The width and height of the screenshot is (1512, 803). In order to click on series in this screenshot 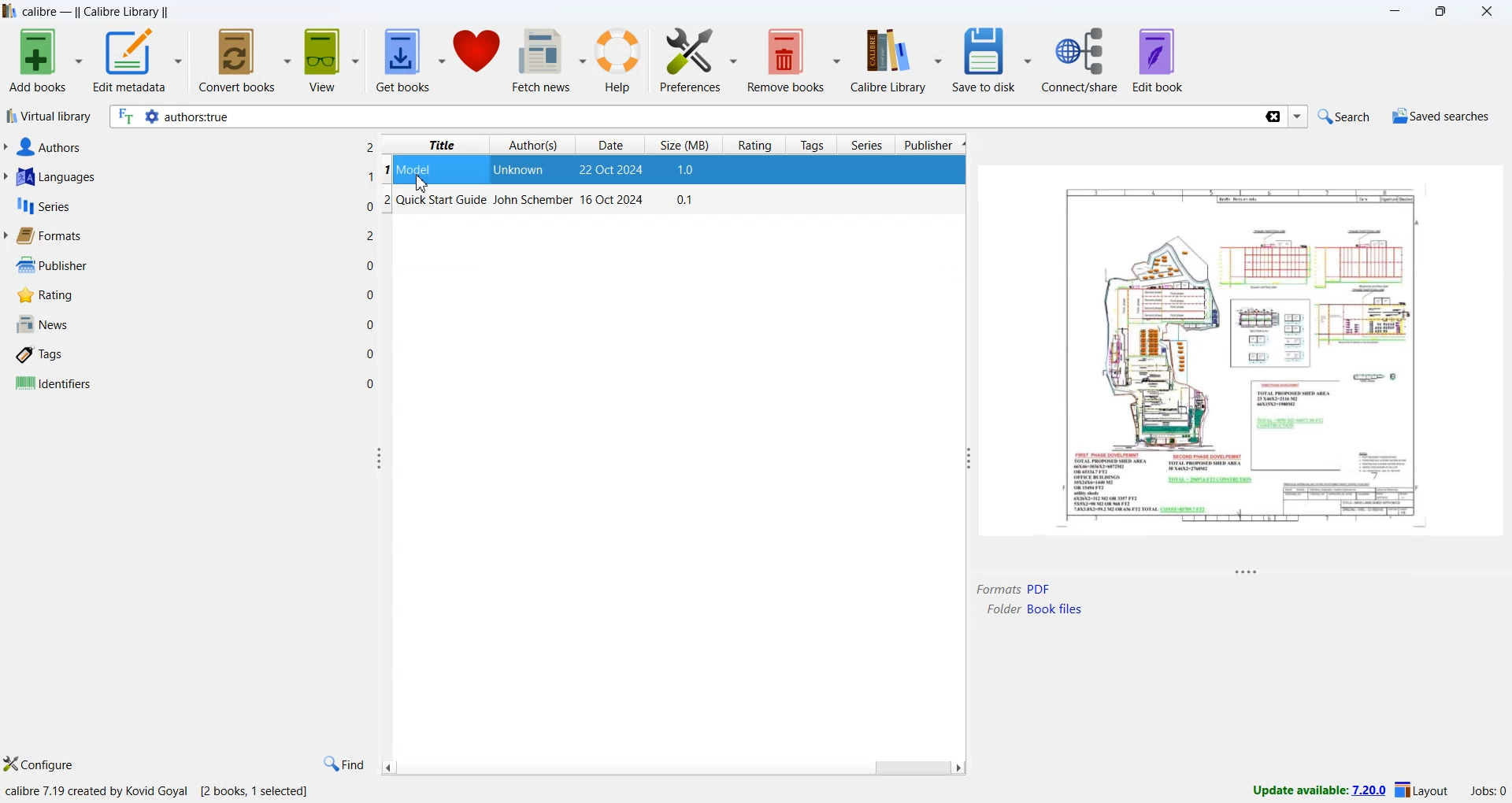, I will do `click(867, 146)`.